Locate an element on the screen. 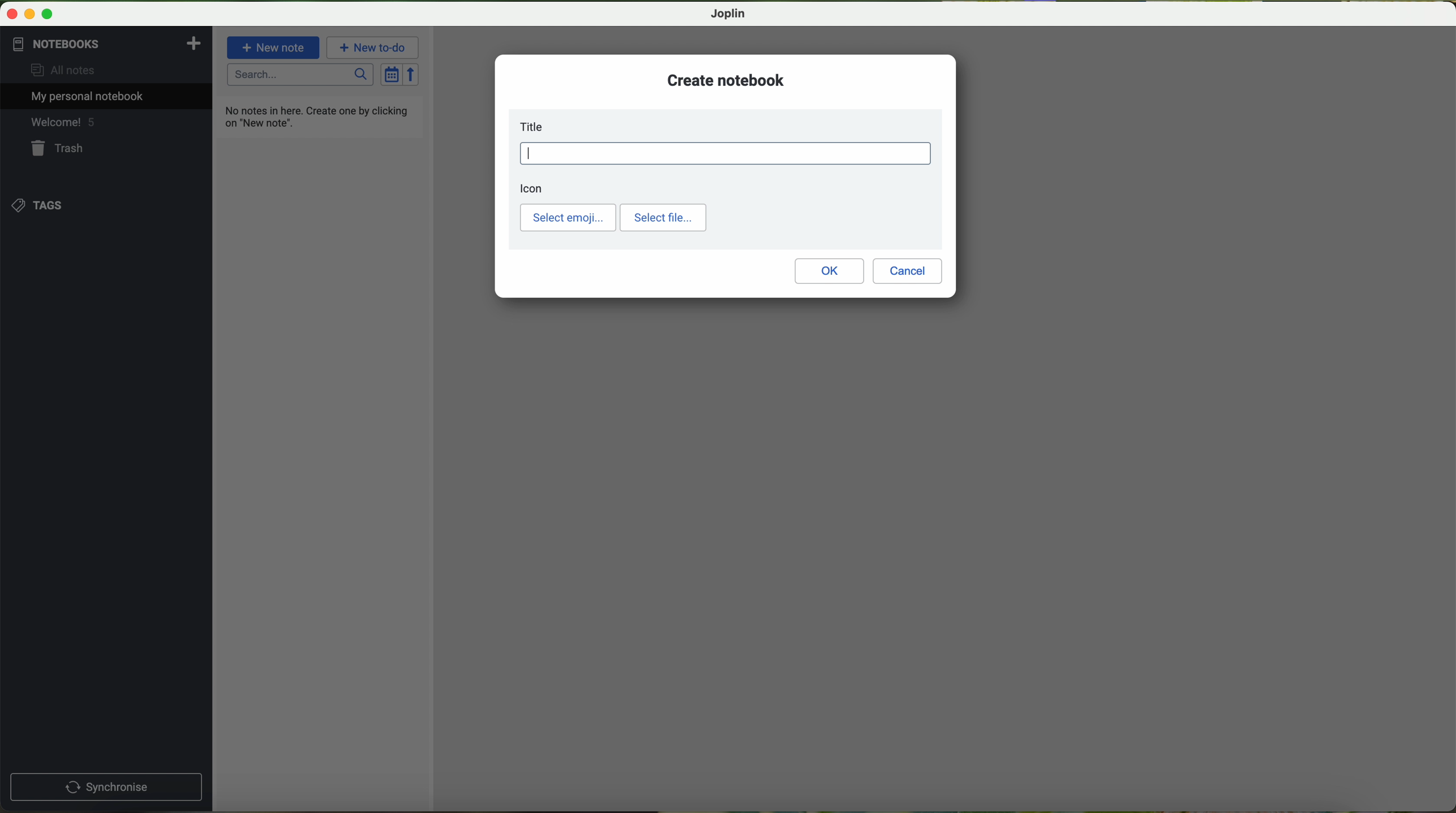 The height and width of the screenshot is (813, 1456). my personal notebook is located at coordinates (83, 97).